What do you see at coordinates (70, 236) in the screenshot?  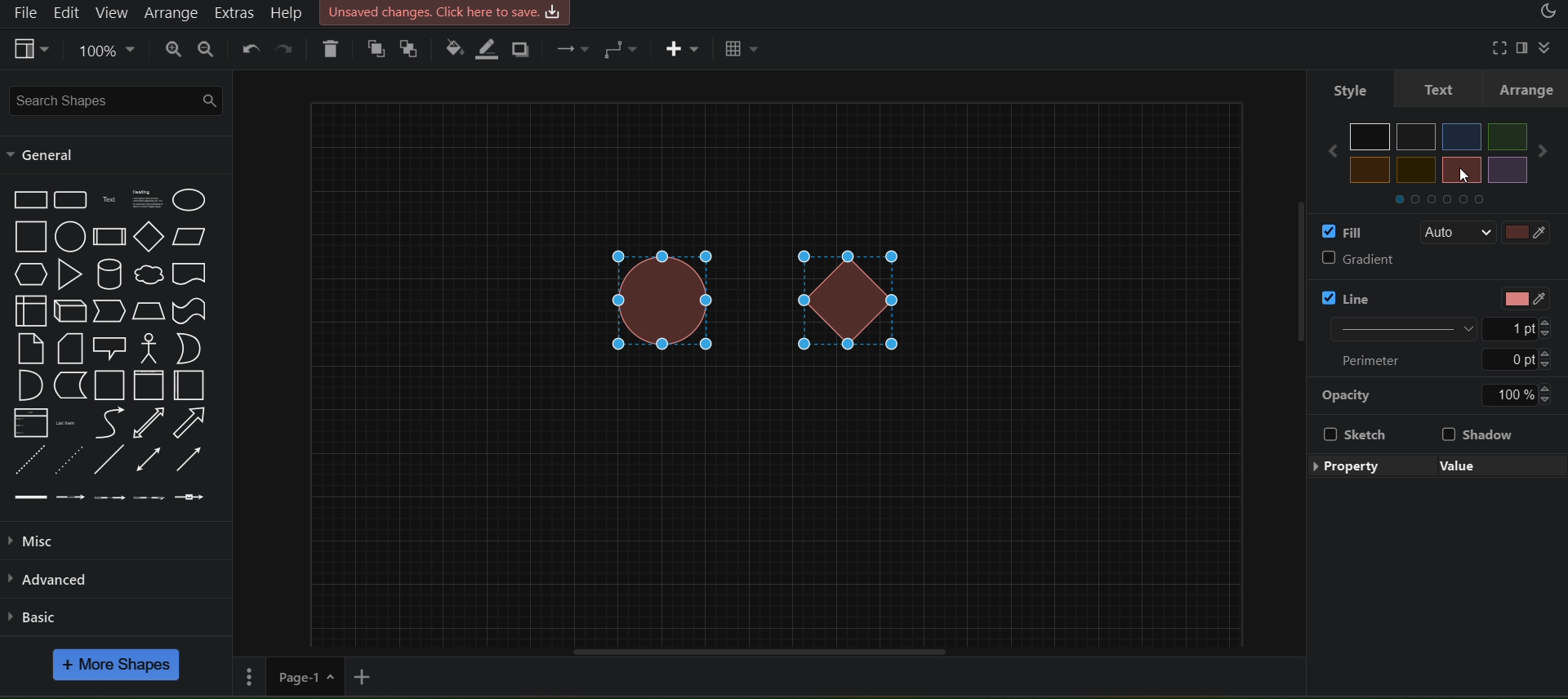 I see `Circle` at bounding box center [70, 236].